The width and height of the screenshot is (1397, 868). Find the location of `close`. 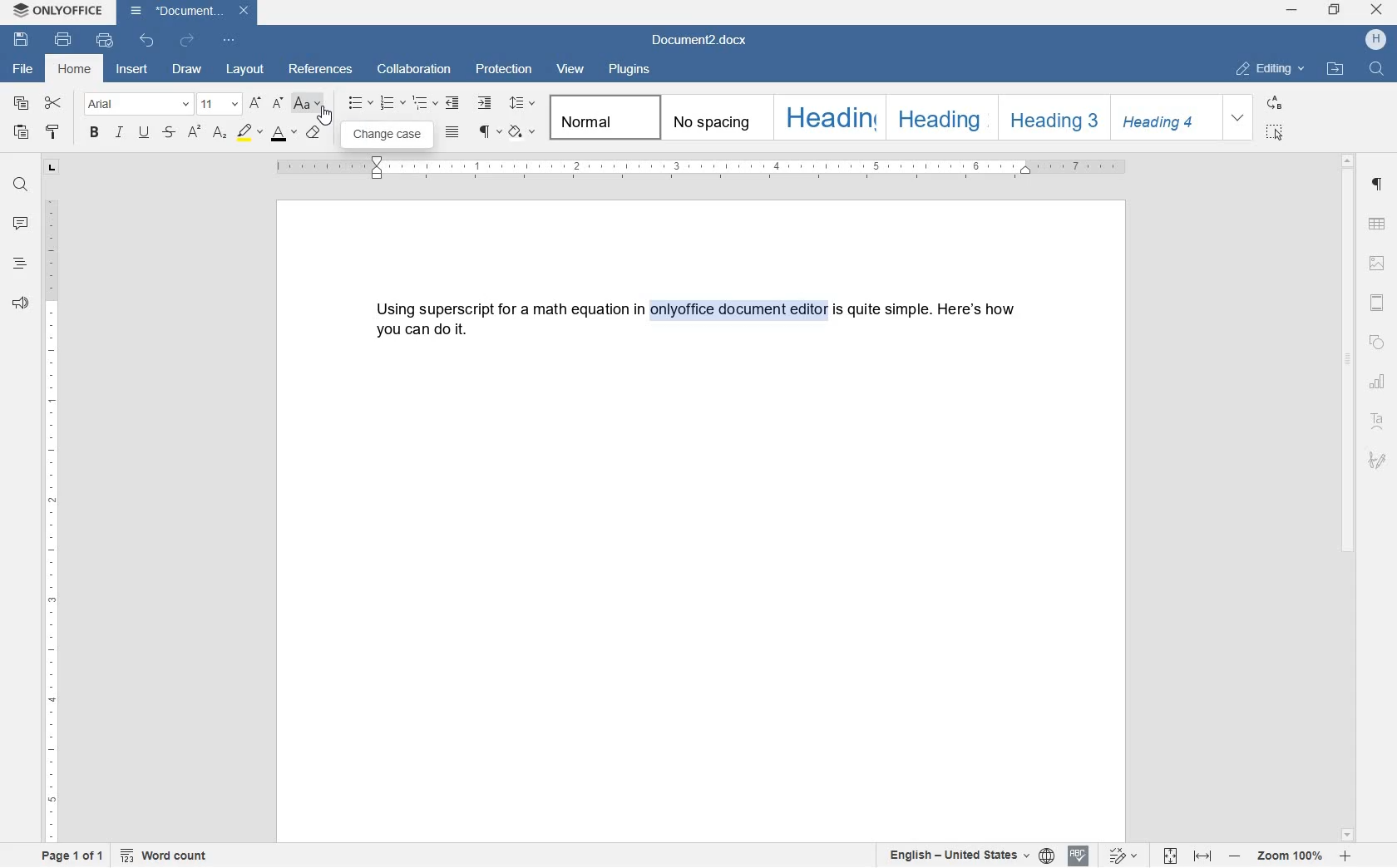

close is located at coordinates (1376, 10).